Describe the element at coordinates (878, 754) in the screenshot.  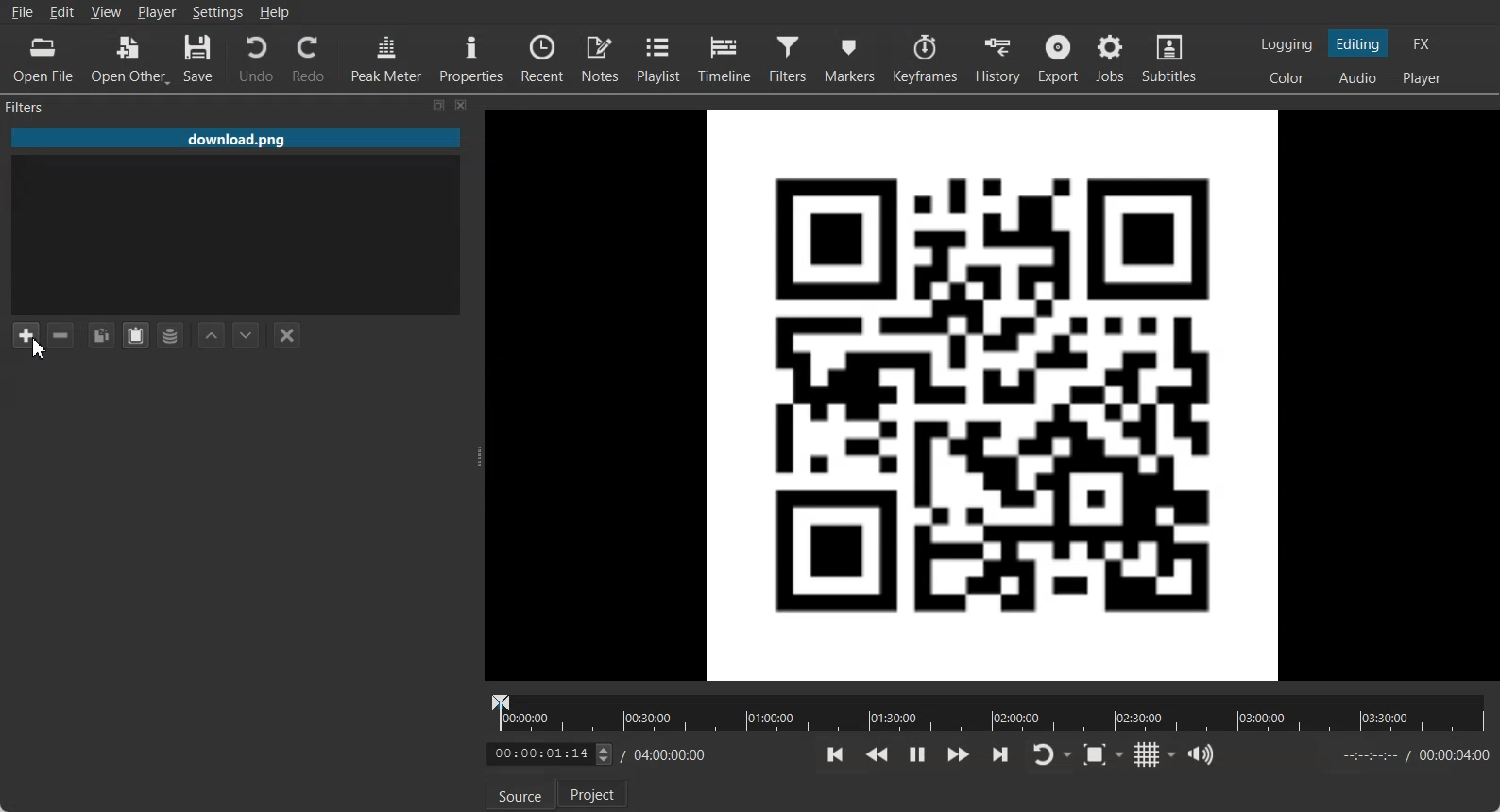
I see `Play Quickly backward` at that location.